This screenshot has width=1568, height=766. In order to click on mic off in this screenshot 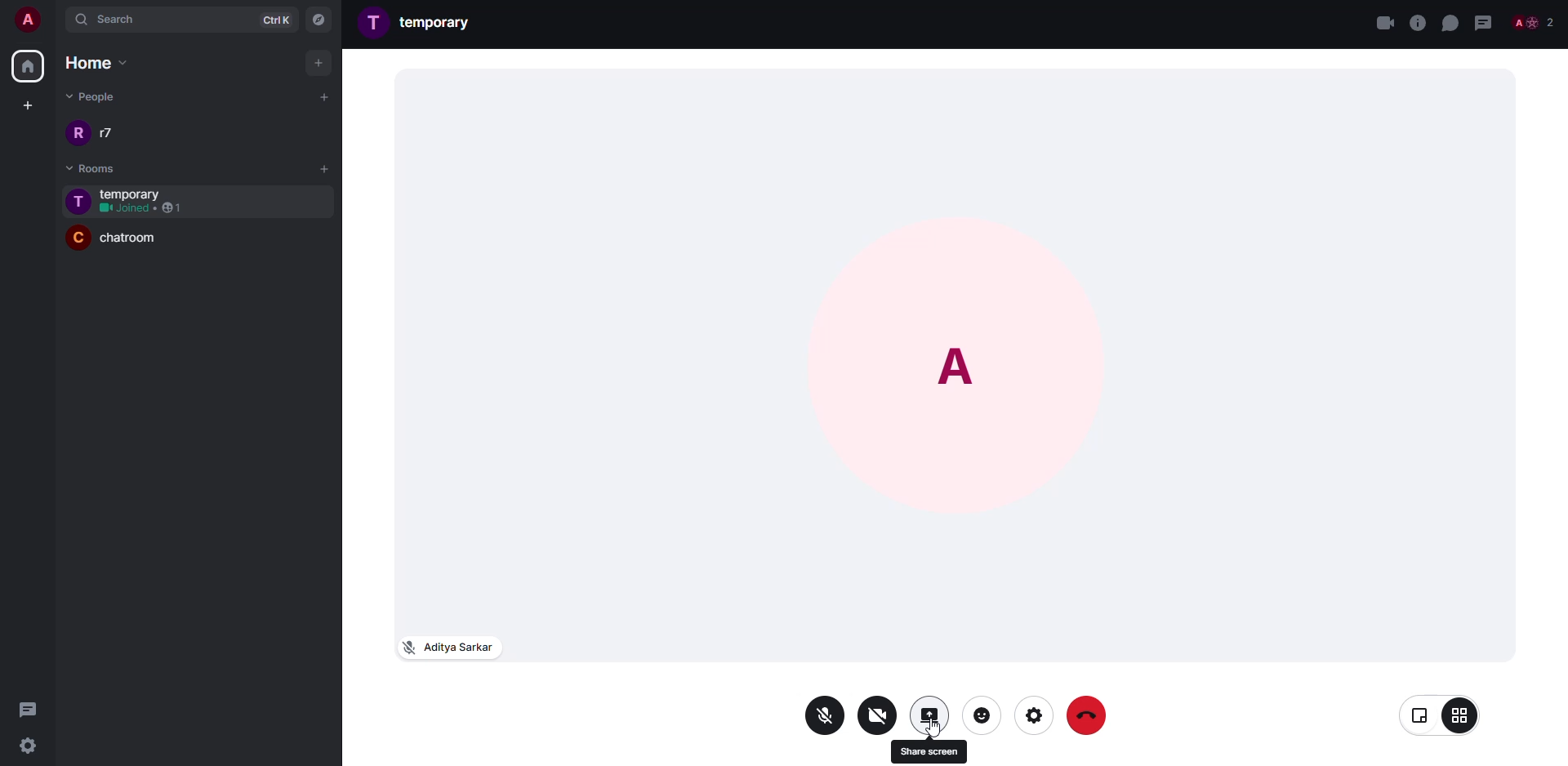, I will do `click(447, 646)`.